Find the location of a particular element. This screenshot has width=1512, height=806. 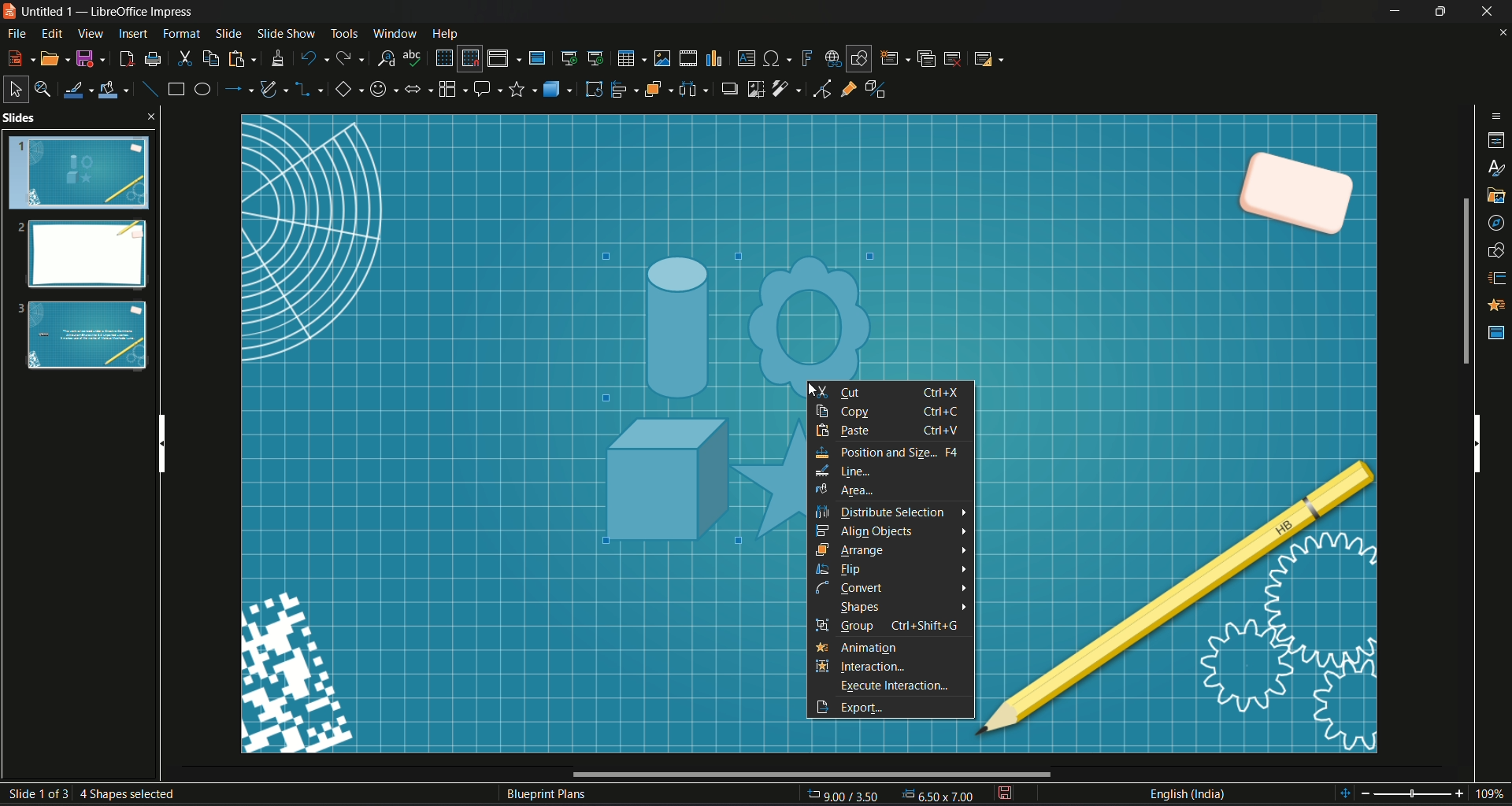

line color is located at coordinates (77, 90).